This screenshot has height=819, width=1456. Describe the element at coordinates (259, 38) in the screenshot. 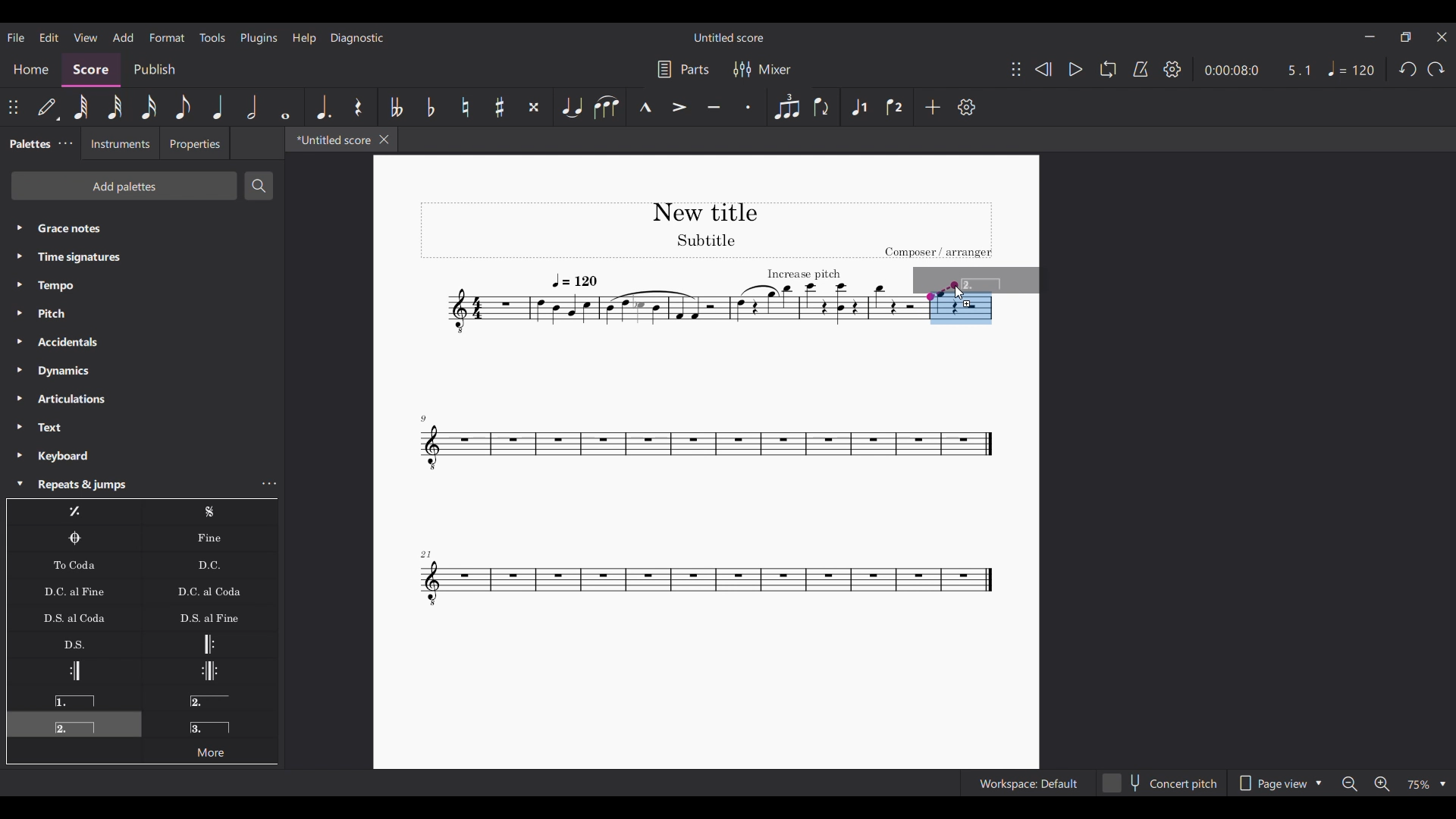

I see `Plugins menu` at that location.